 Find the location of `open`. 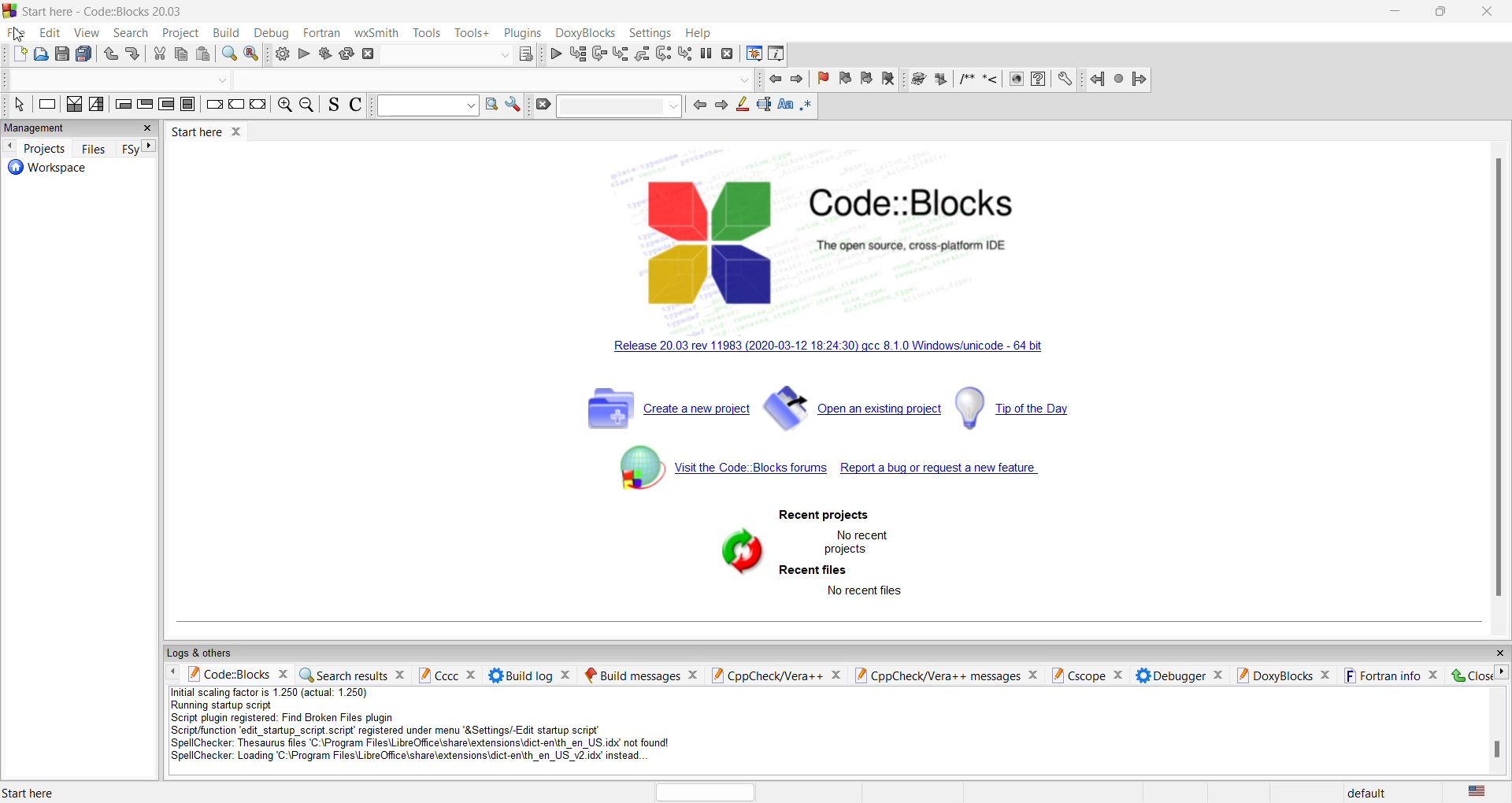

open is located at coordinates (44, 54).